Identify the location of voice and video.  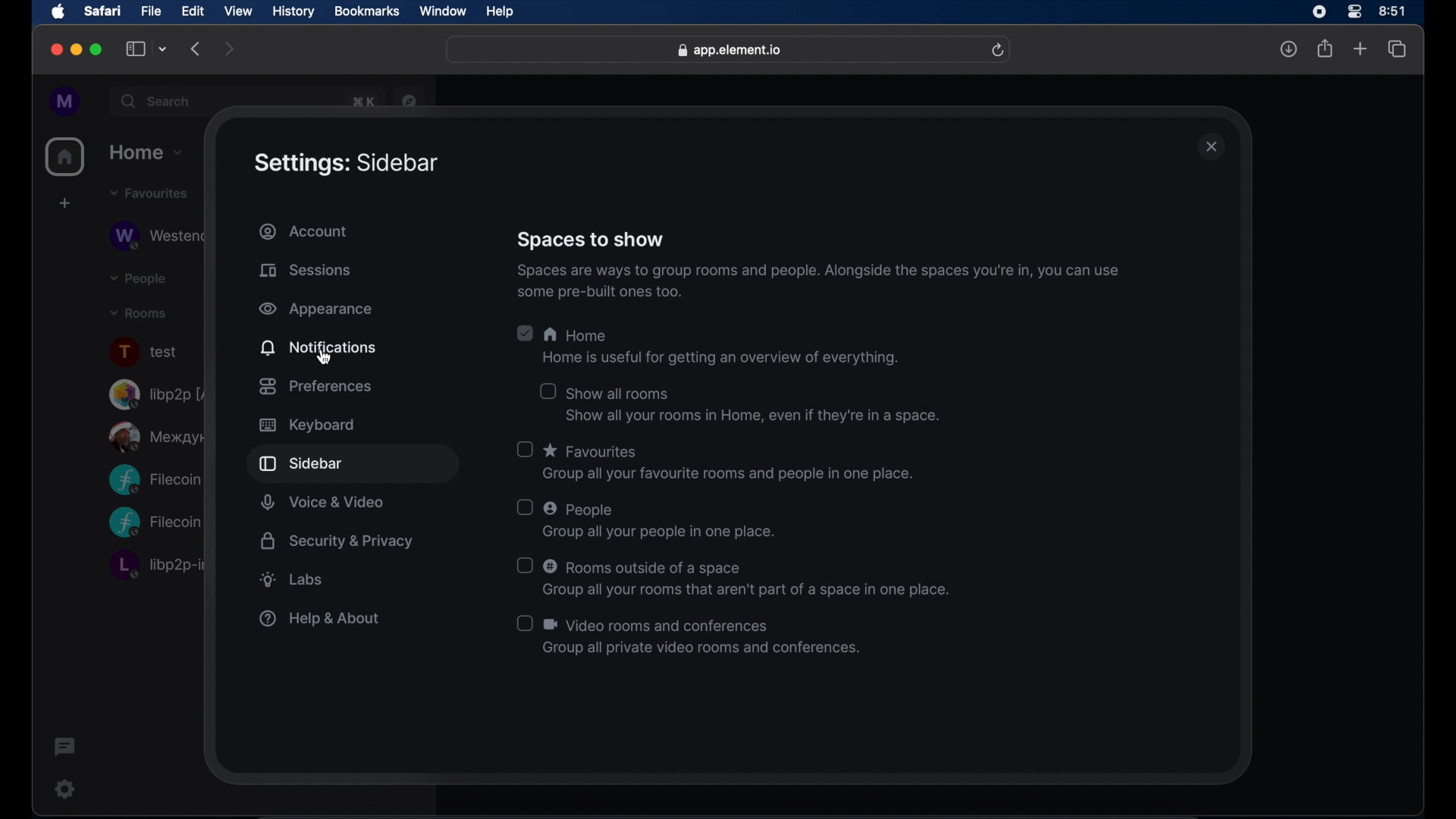
(321, 502).